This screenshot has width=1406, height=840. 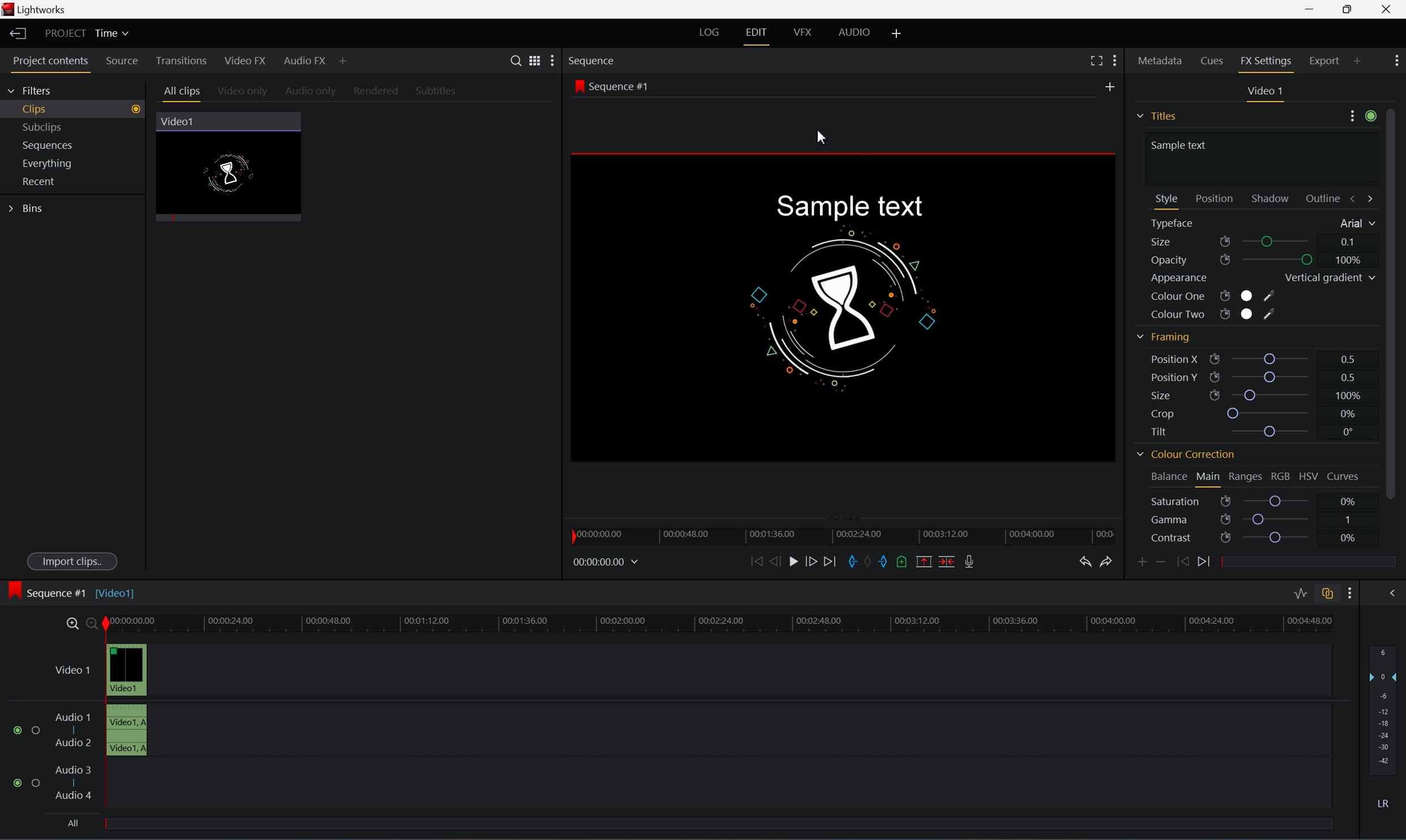 I want to click on Sequnce#1, so click(x=612, y=87).